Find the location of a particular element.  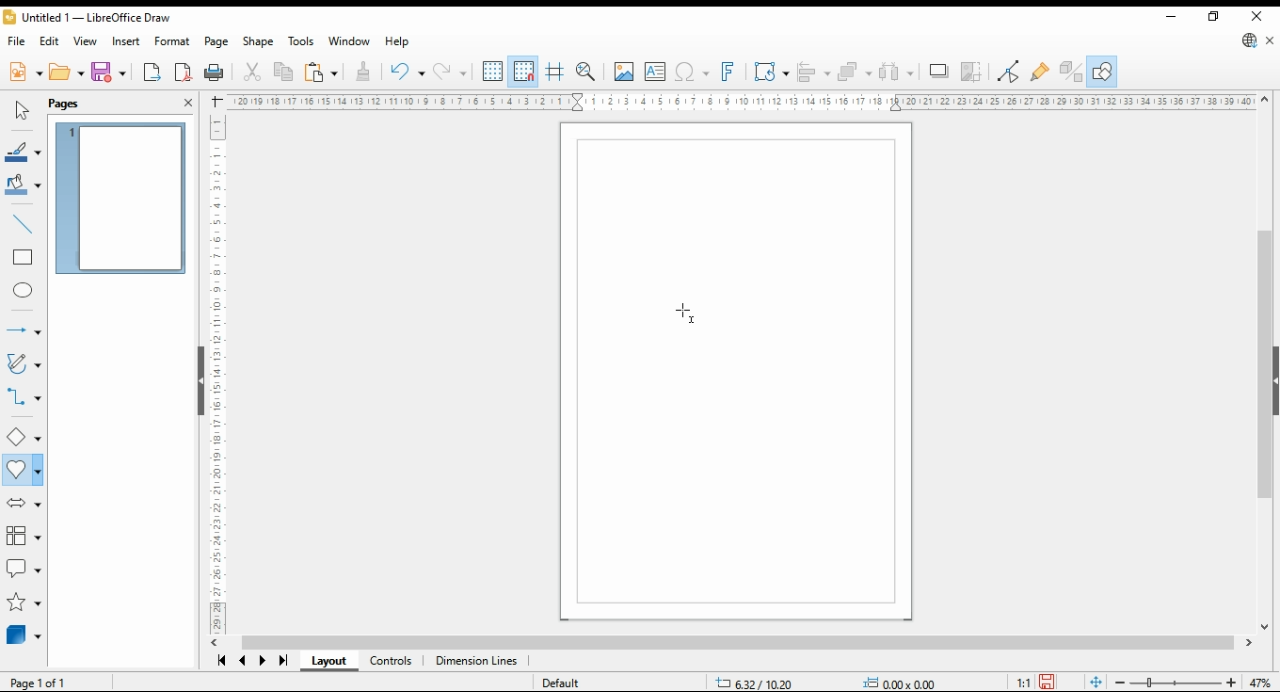

libre office draw update is located at coordinates (1250, 40).